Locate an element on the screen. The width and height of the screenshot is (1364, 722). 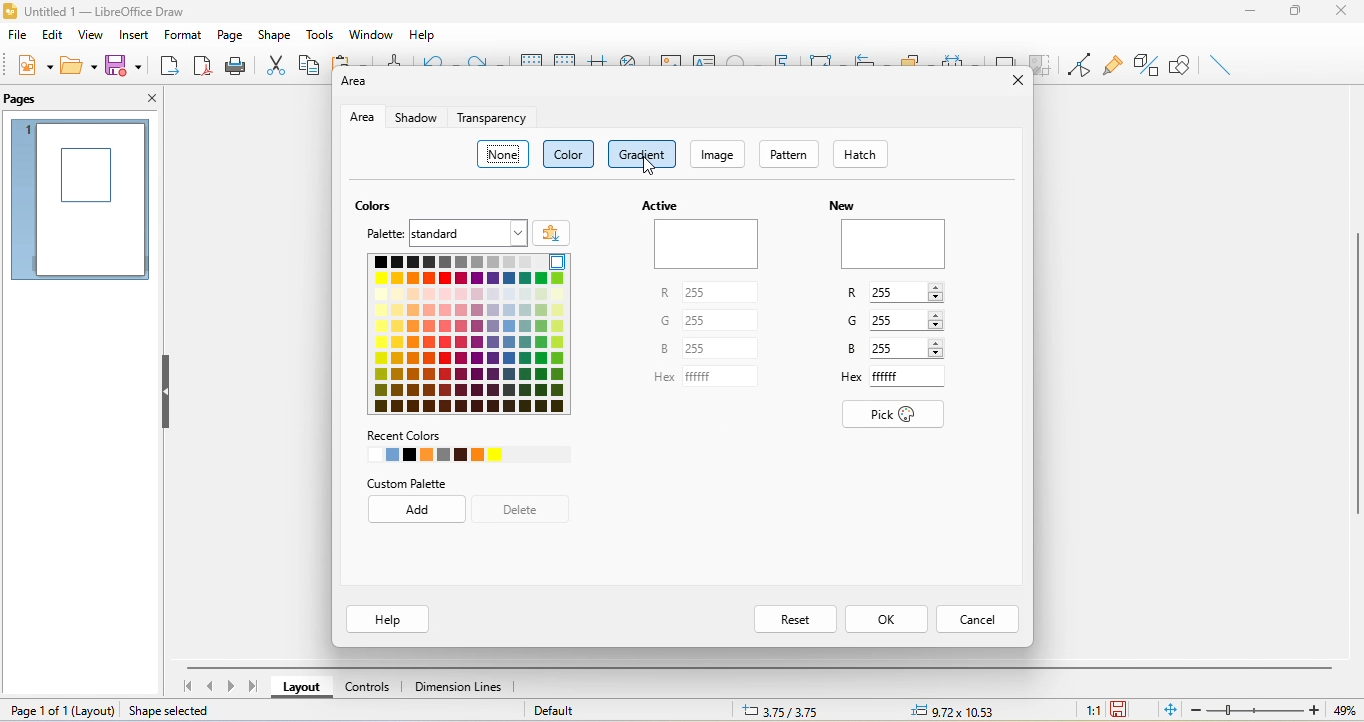
hex is located at coordinates (850, 376).